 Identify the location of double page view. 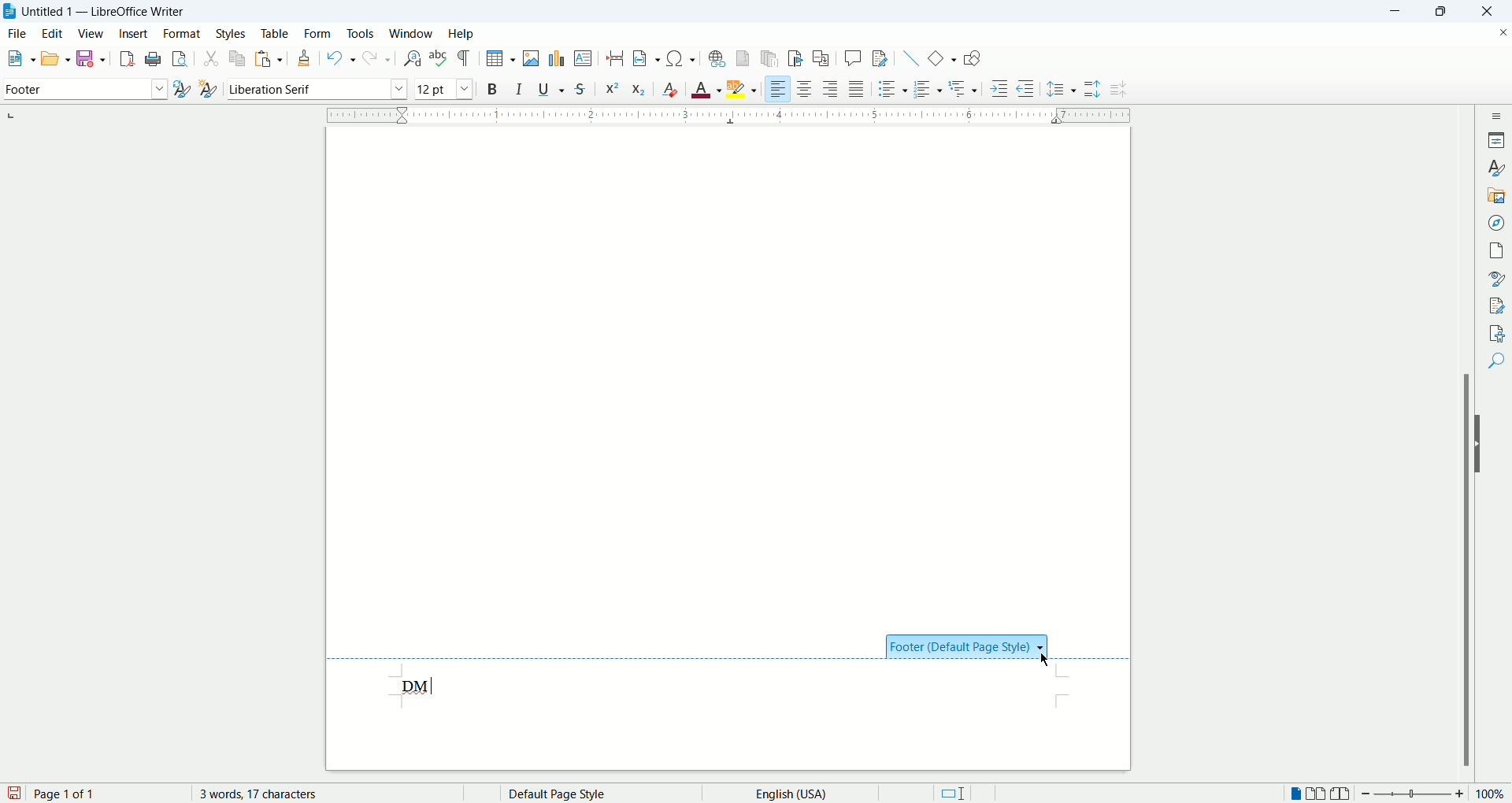
(1319, 794).